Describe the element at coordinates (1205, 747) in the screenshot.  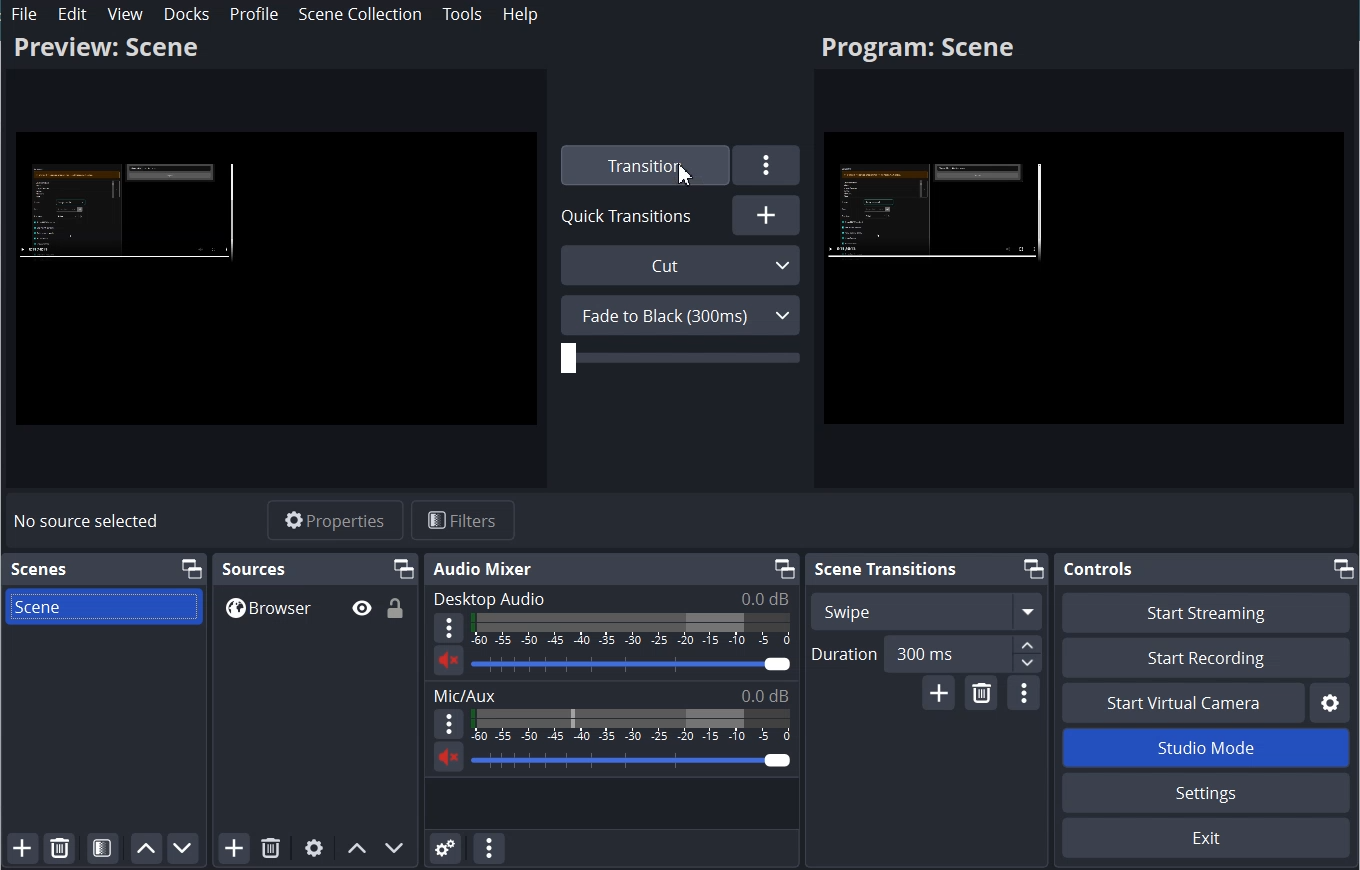
I see `Studio Mode` at that location.